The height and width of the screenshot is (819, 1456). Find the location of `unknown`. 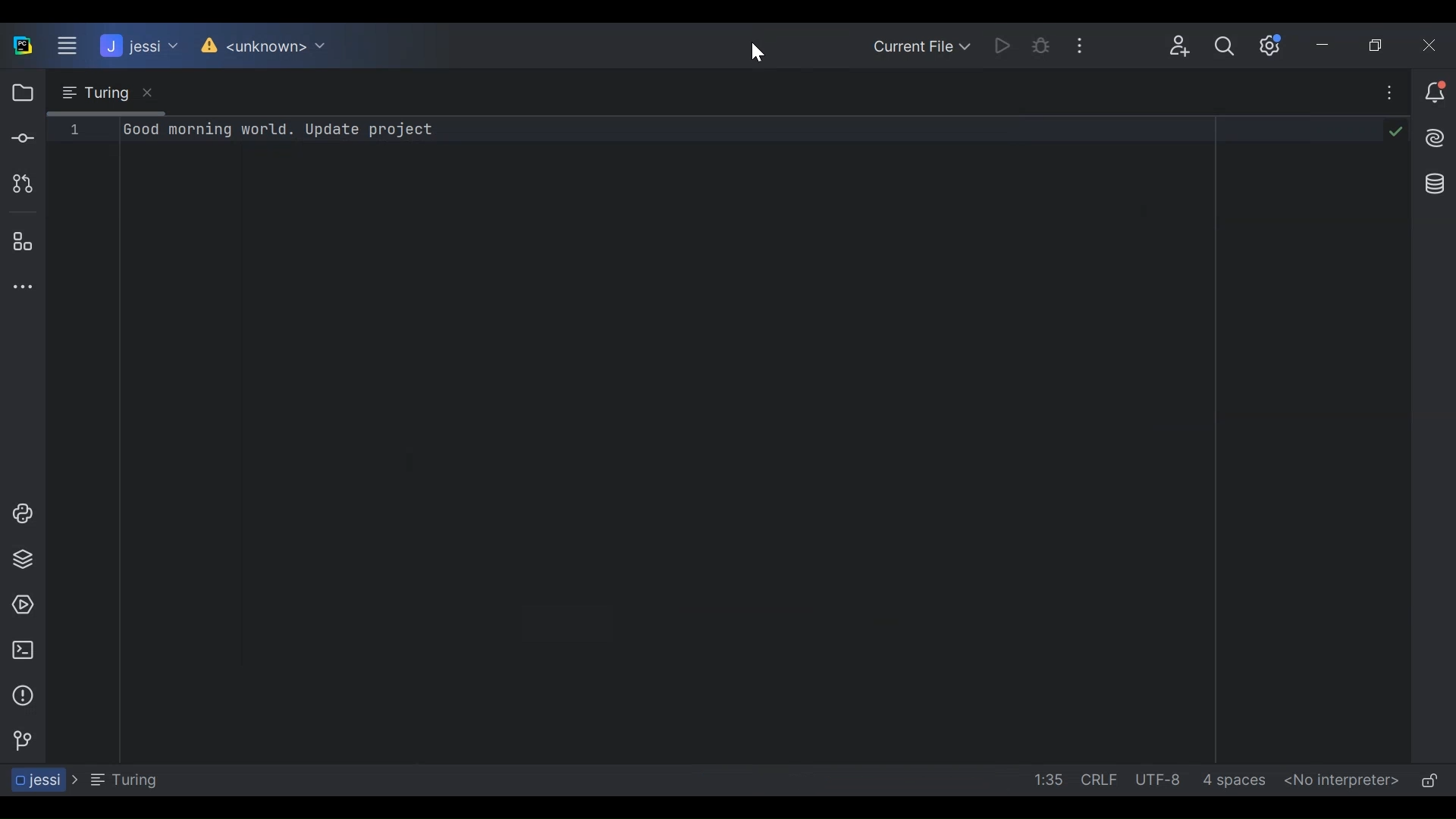

unknown is located at coordinates (265, 47).